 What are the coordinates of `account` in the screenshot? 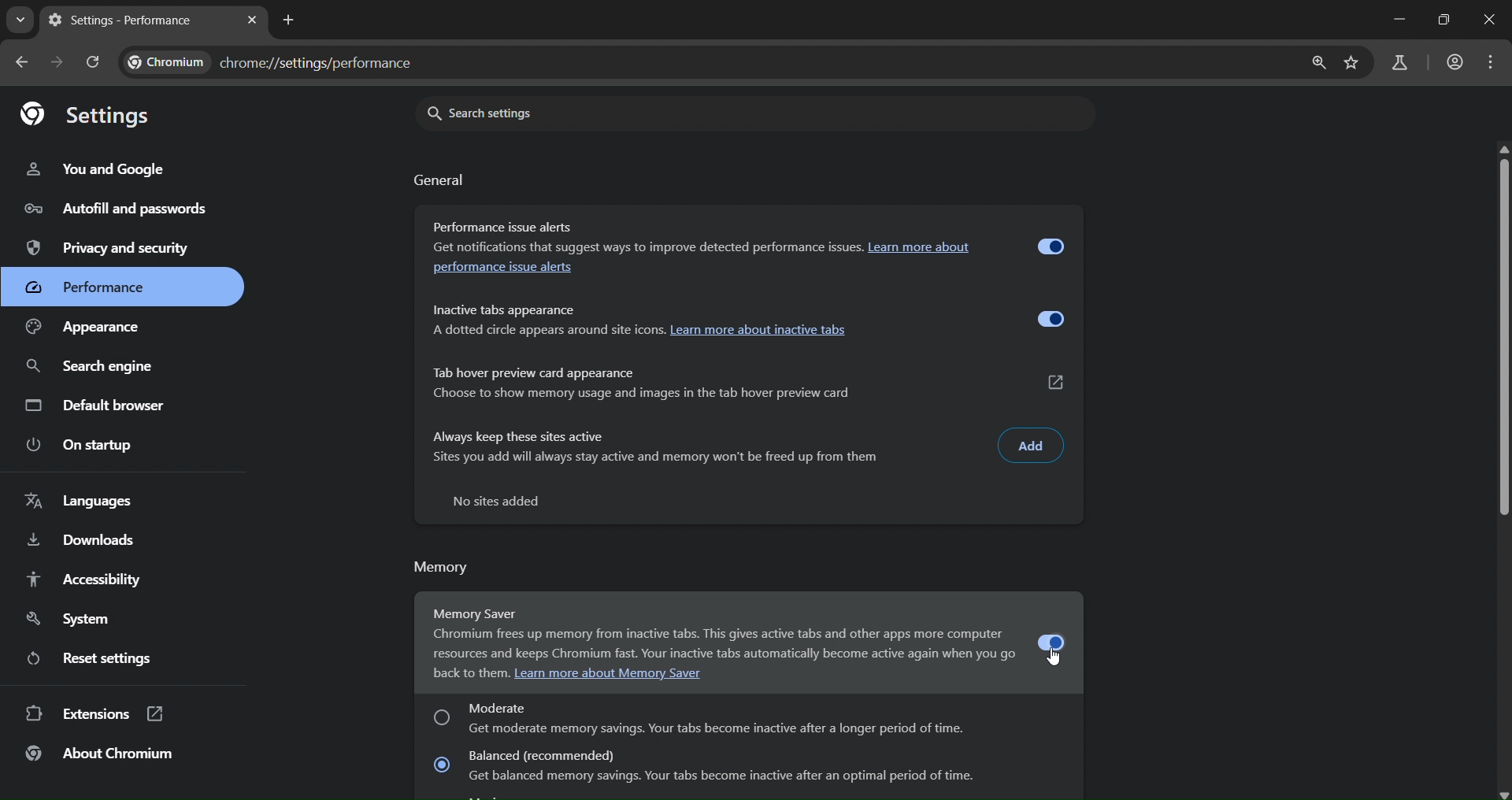 It's located at (1456, 62).